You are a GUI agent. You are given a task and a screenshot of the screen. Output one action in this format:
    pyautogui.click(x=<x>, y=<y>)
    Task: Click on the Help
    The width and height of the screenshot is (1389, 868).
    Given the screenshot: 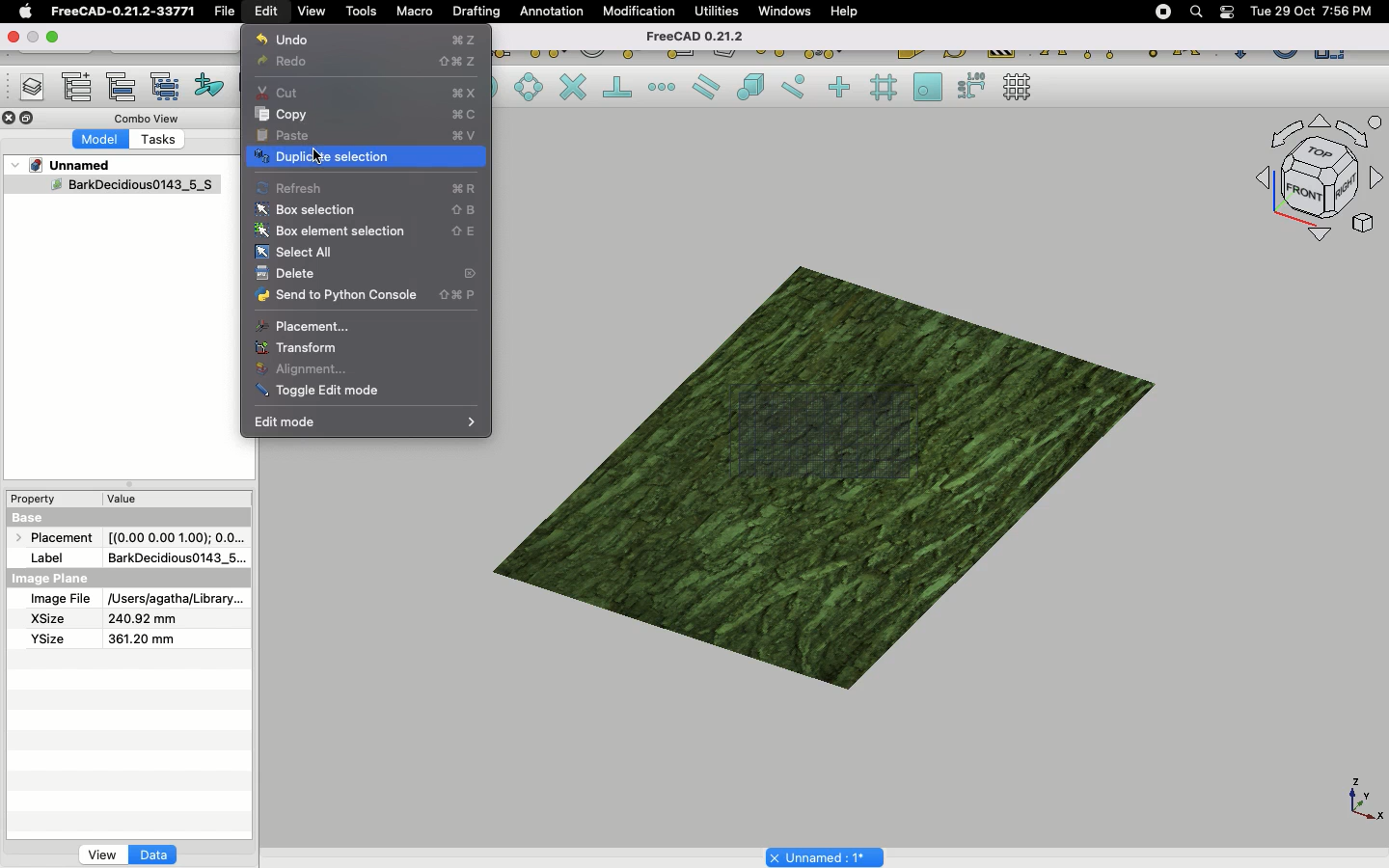 What is the action you would take?
    pyautogui.click(x=844, y=11)
    